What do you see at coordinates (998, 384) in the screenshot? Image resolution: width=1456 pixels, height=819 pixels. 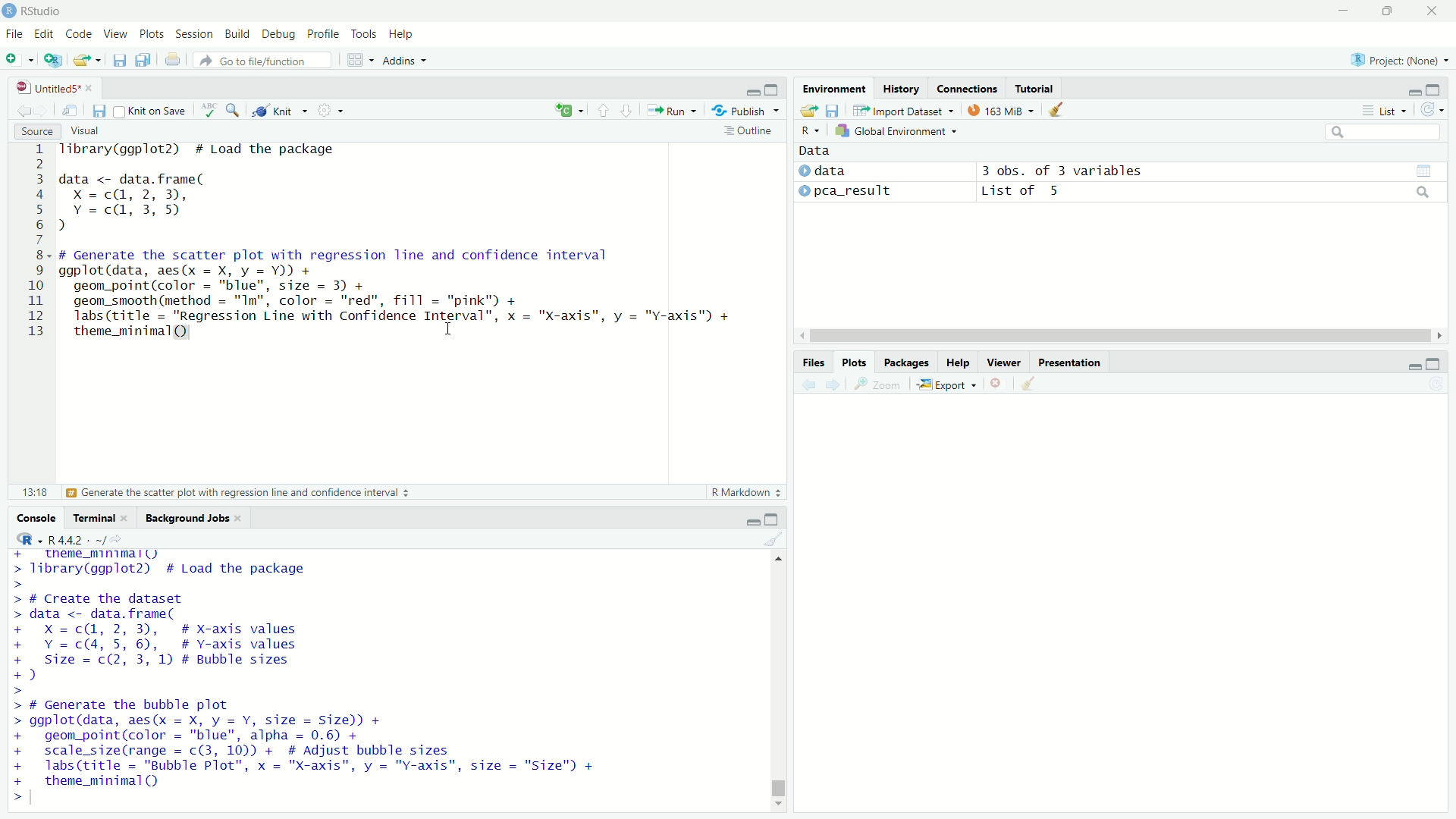 I see `Remove current plot` at bounding box center [998, 384].